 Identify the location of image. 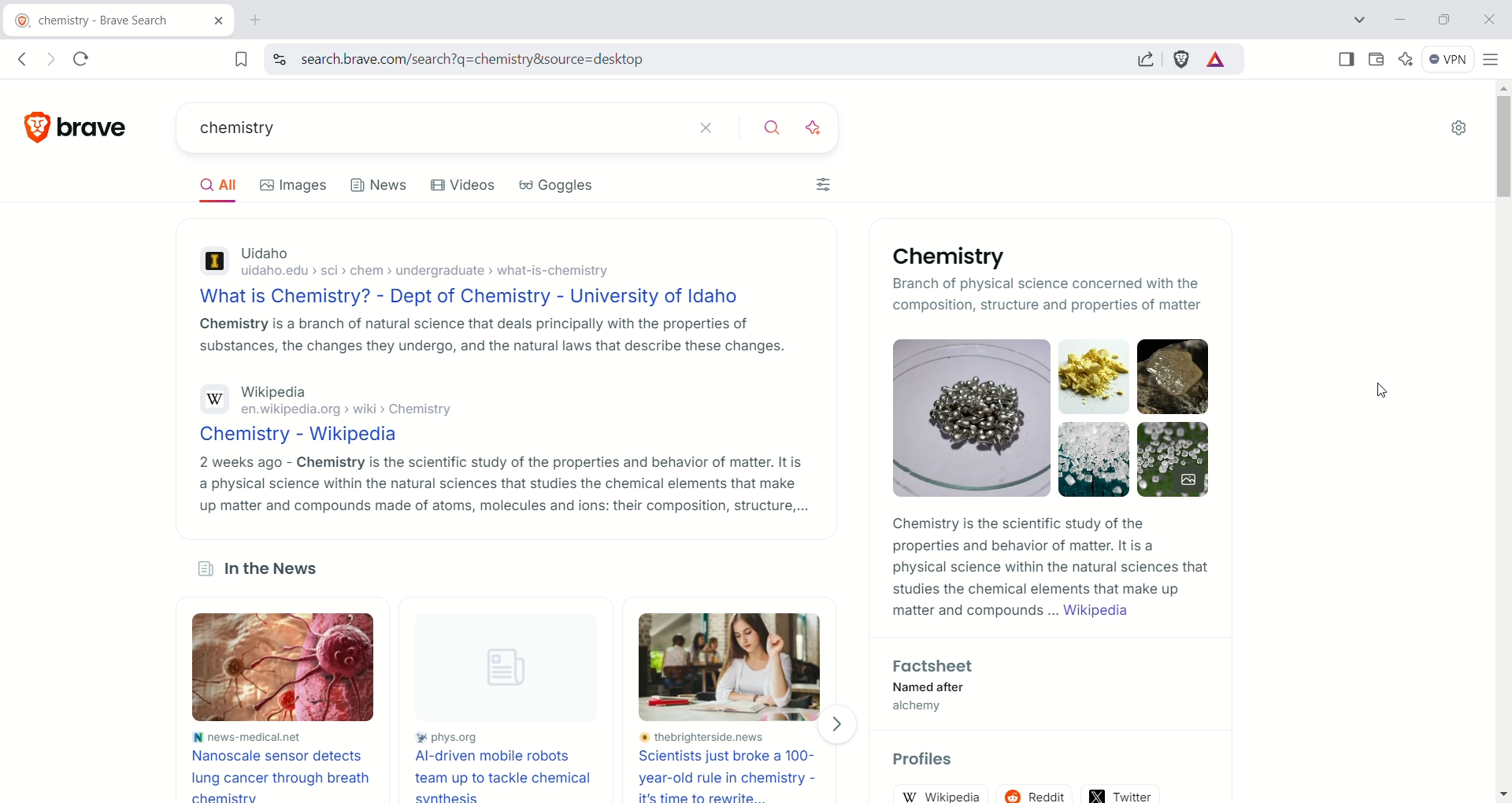
(295, 669).